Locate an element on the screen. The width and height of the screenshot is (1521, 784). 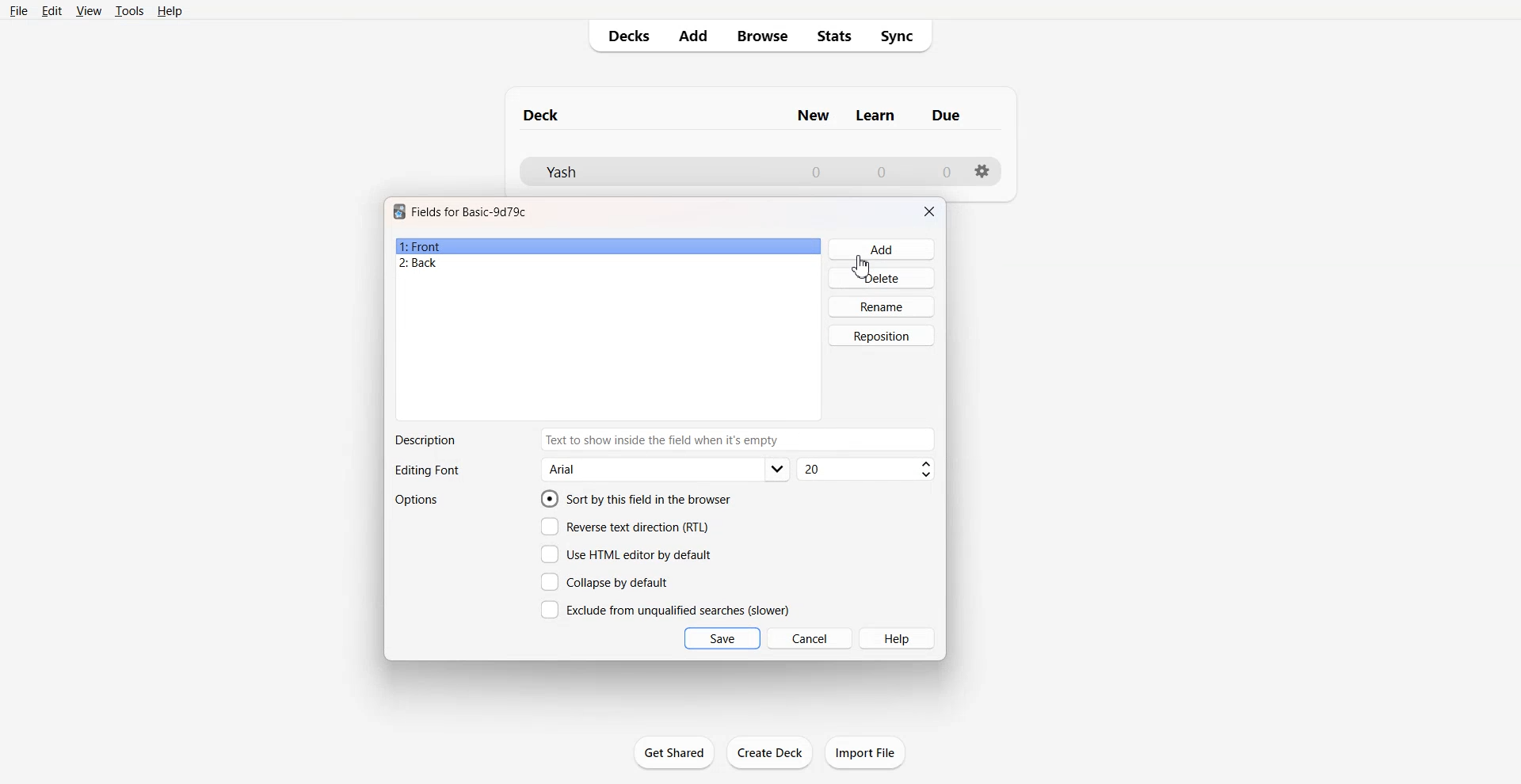
Number of due cards is located at coordinates (947, 172).